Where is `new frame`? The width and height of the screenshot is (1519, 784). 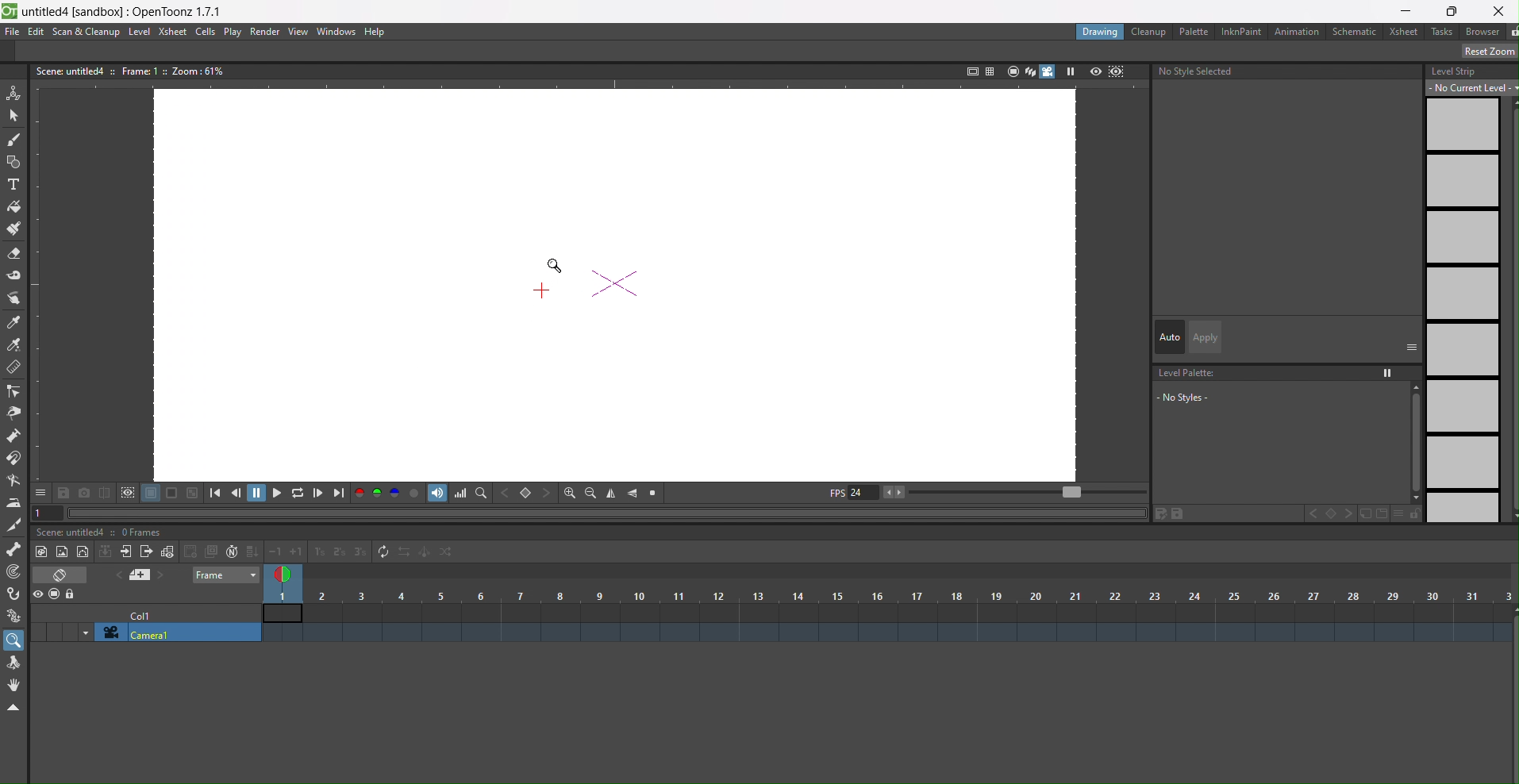 new frame is located at coordinates (168, 551).